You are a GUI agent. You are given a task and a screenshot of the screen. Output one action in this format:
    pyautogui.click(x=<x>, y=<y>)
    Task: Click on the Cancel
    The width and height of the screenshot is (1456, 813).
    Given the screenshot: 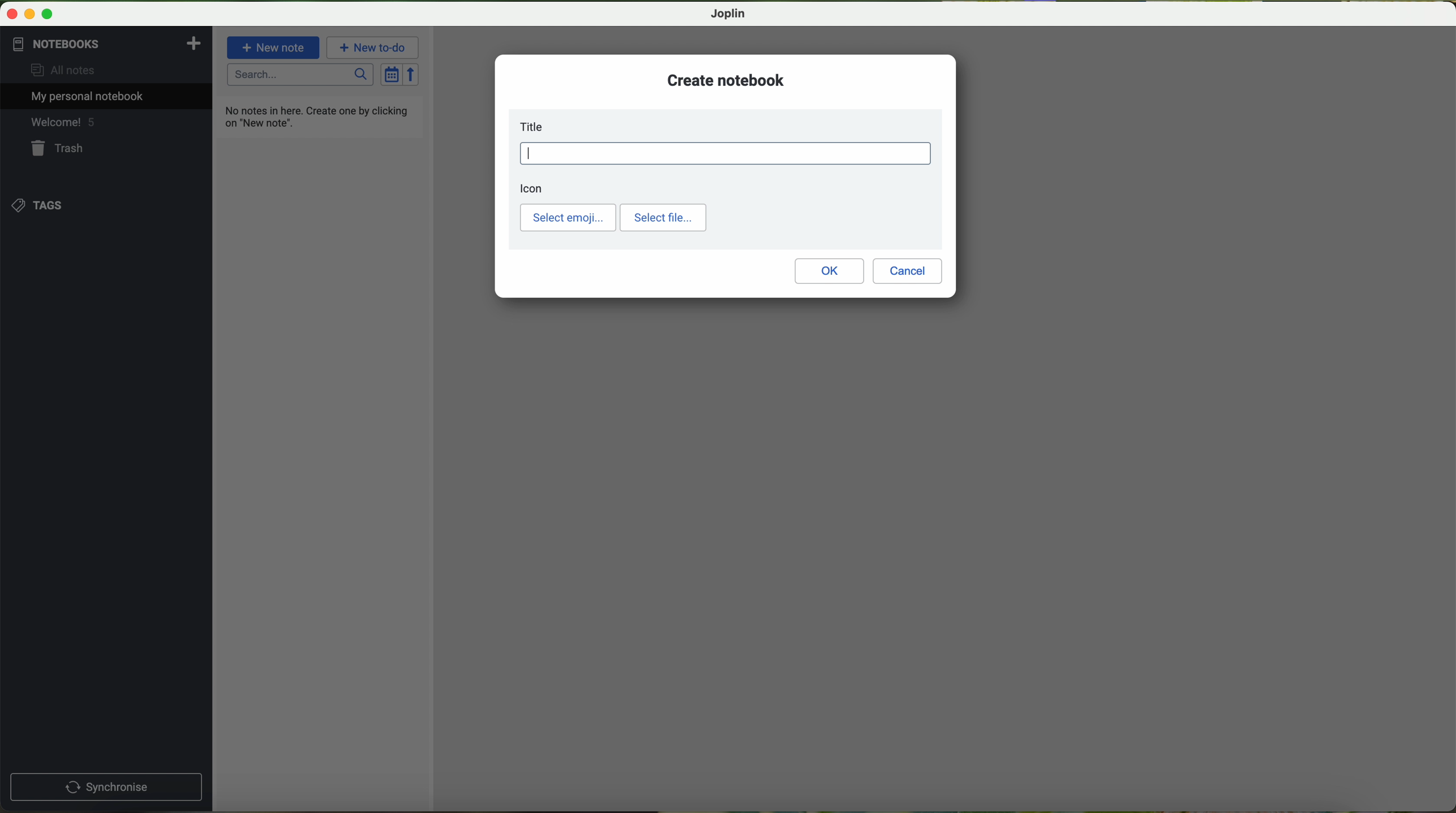 What is the action you would take?
    pyautogui.click(x=908, y=271)
    